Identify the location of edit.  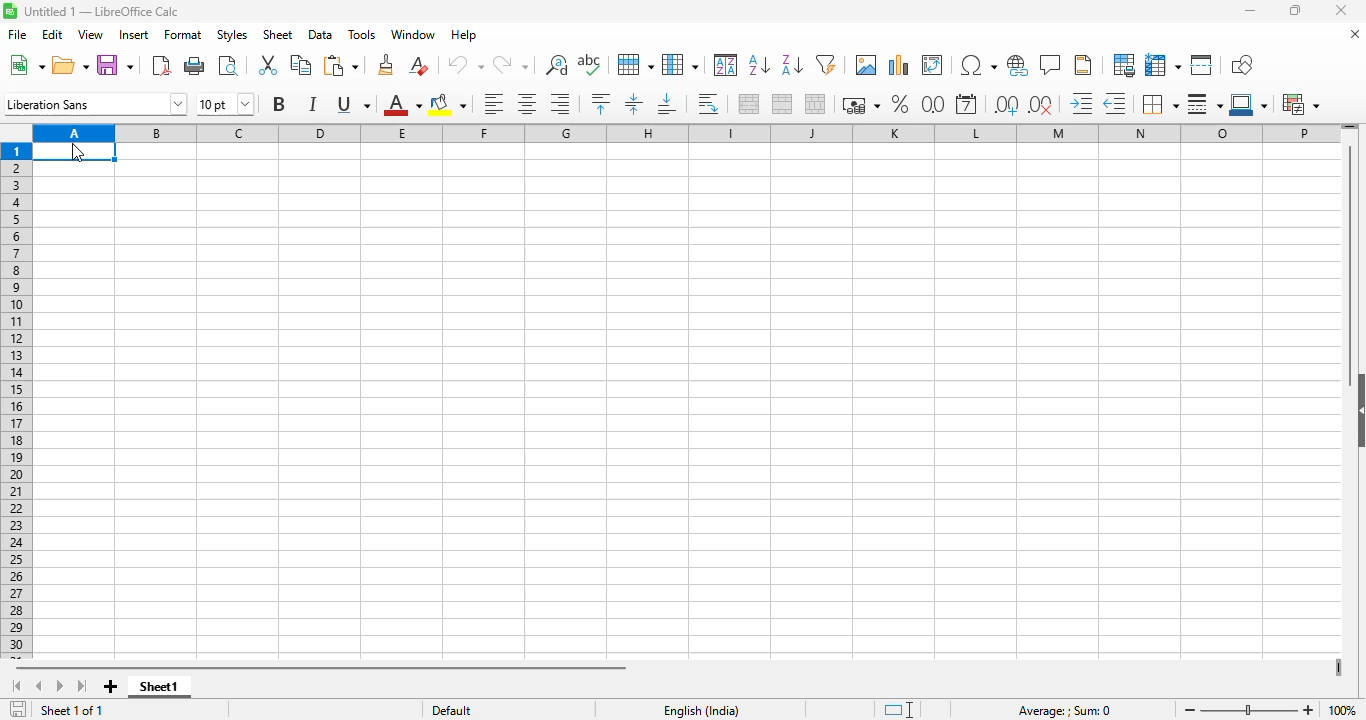
(53, 35).